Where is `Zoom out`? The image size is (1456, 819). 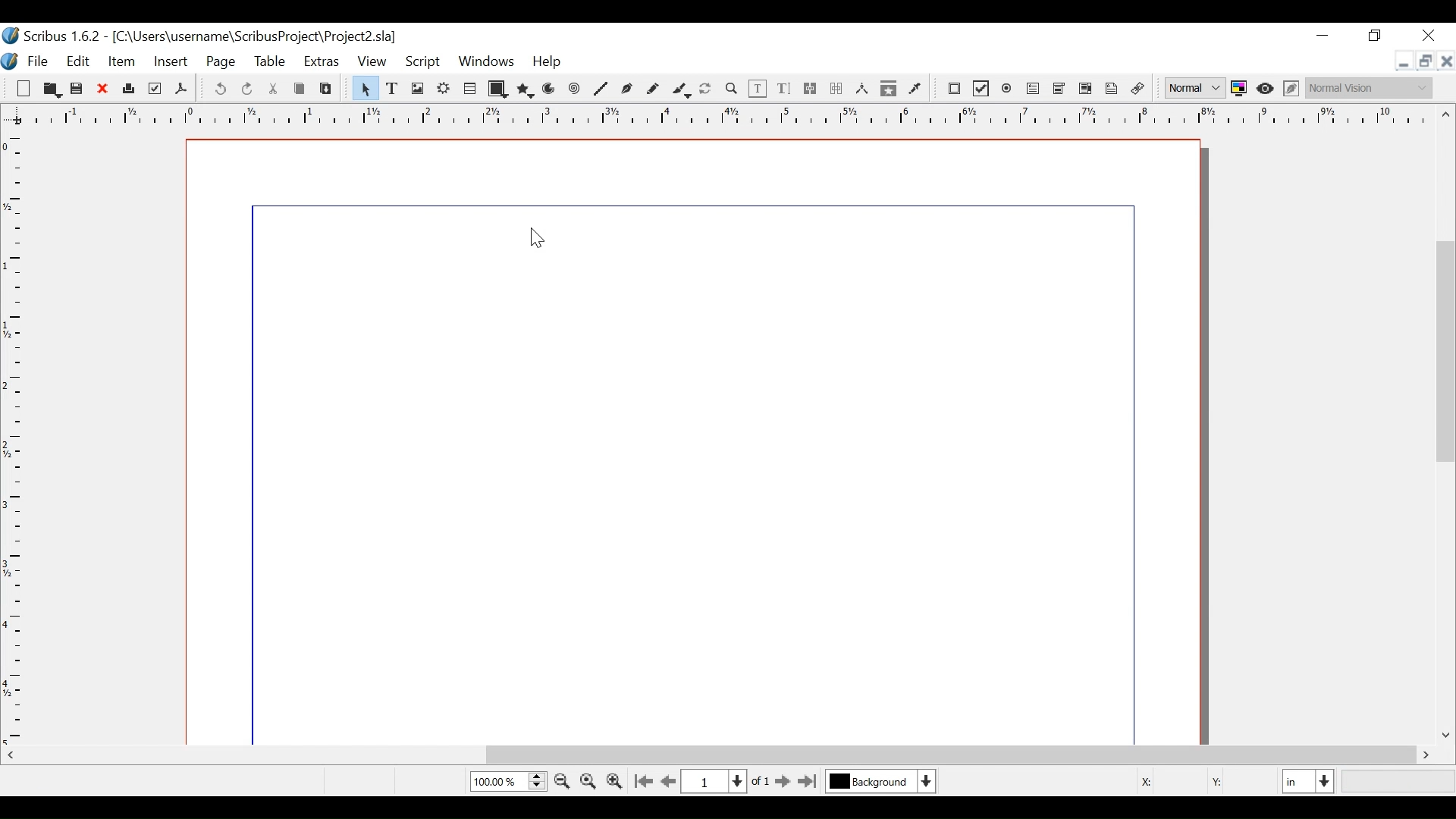
Zoom out is located at coordinates (563, 780).